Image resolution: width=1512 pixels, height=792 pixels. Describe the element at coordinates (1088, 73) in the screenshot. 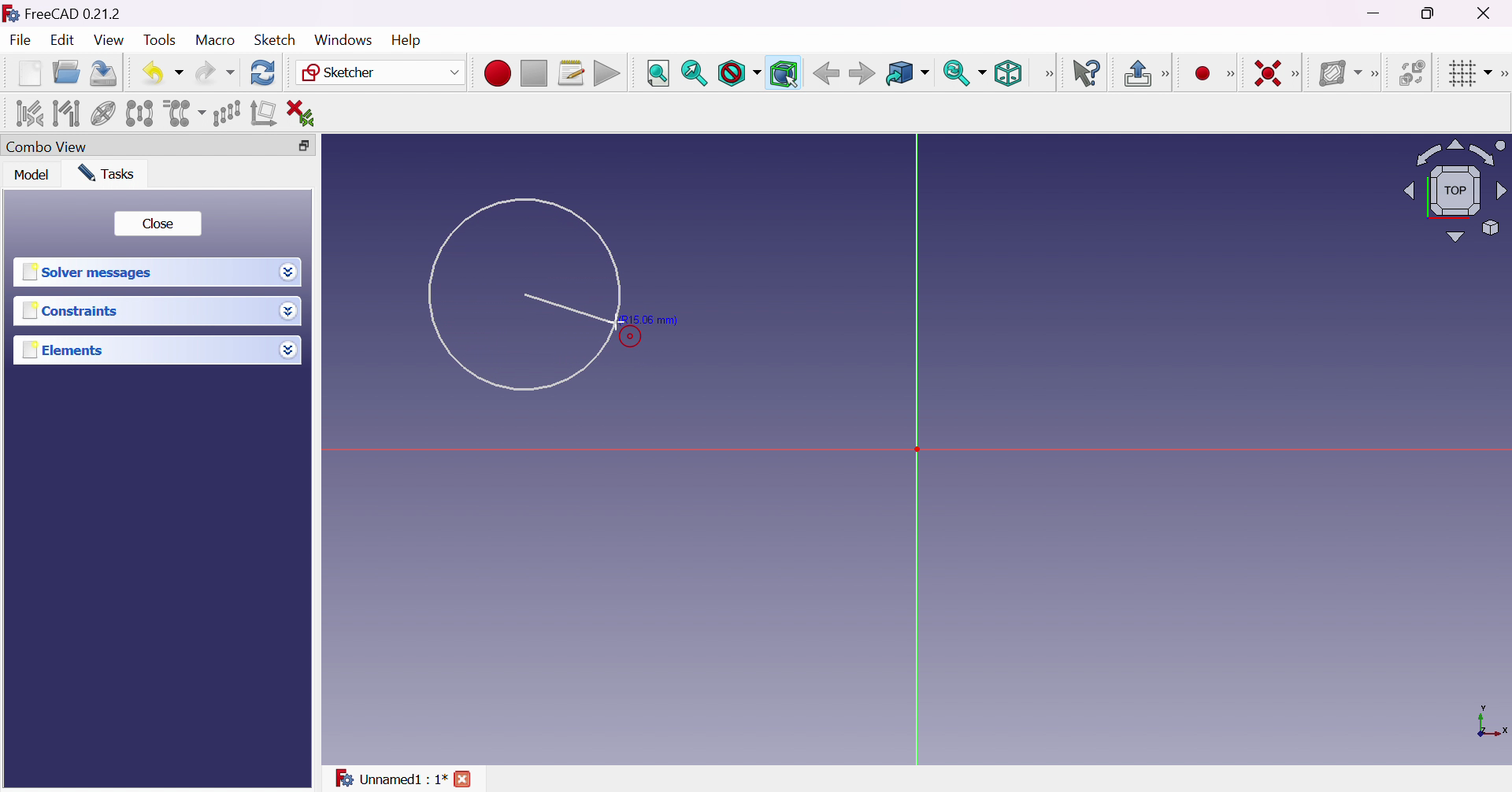

I see `What's this?` at that location.